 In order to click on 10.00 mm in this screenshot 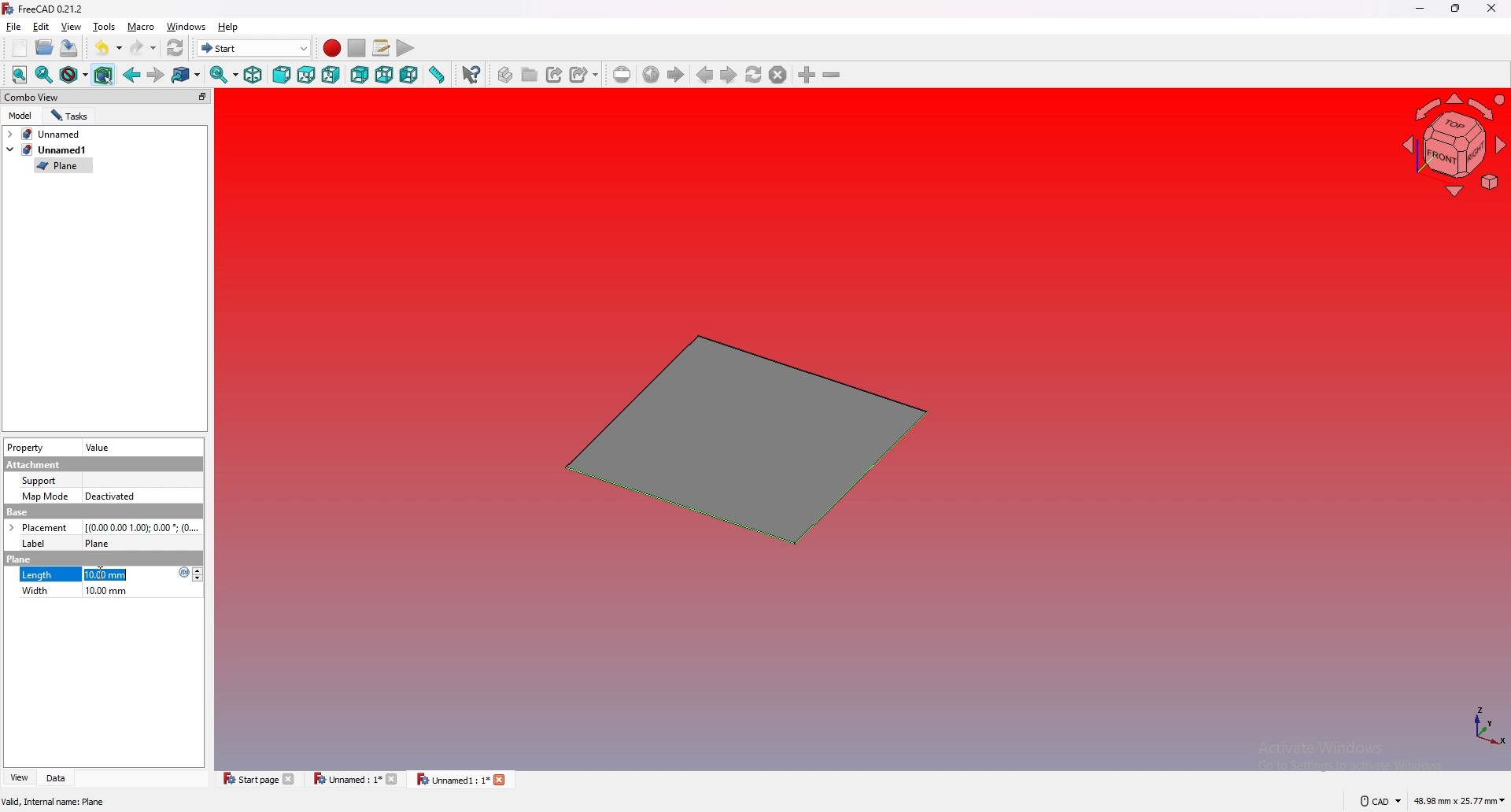, I will do `click(144, 574)`.